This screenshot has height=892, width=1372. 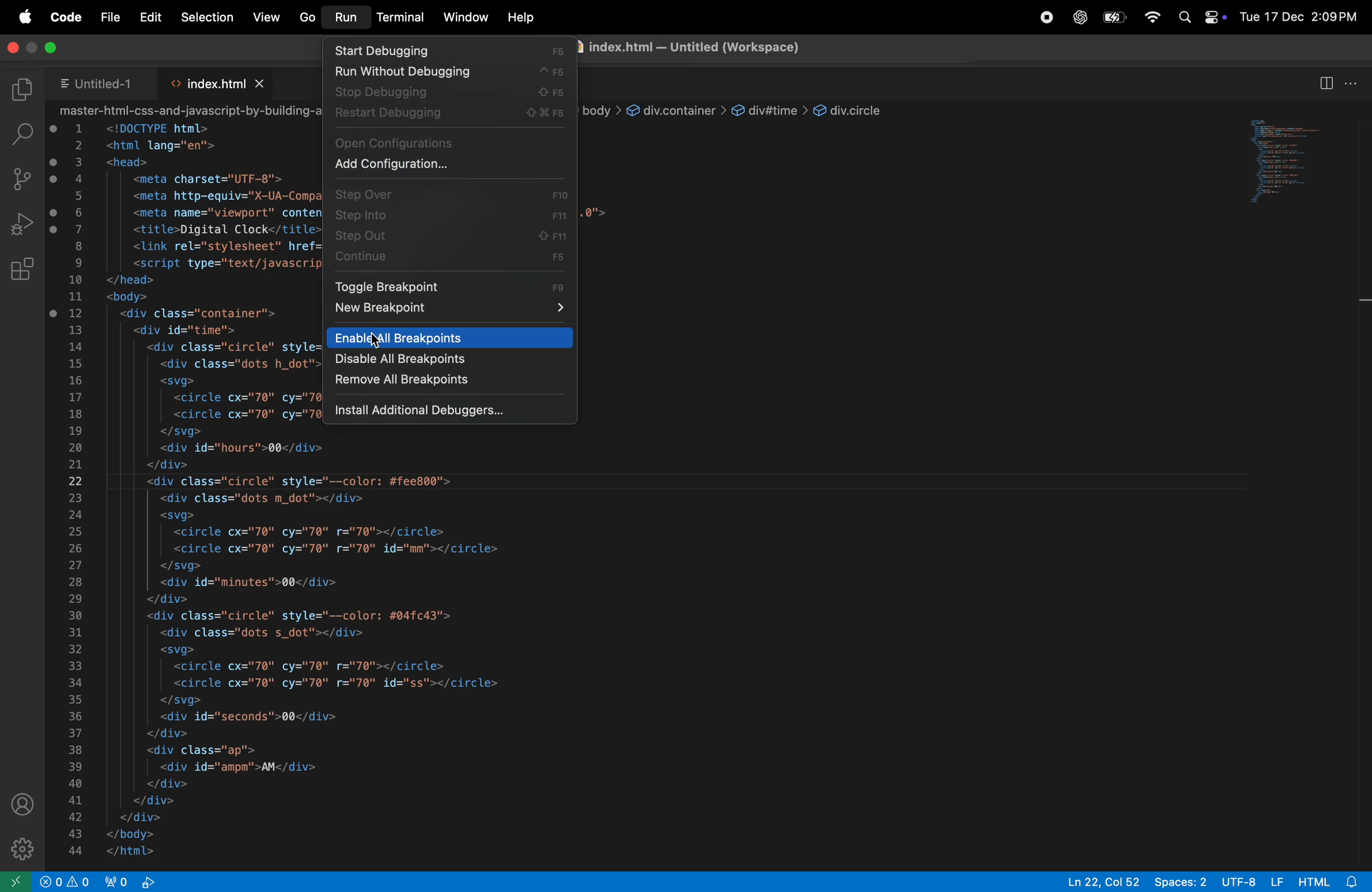 I want to click on restart, so click(x=448, y=113).